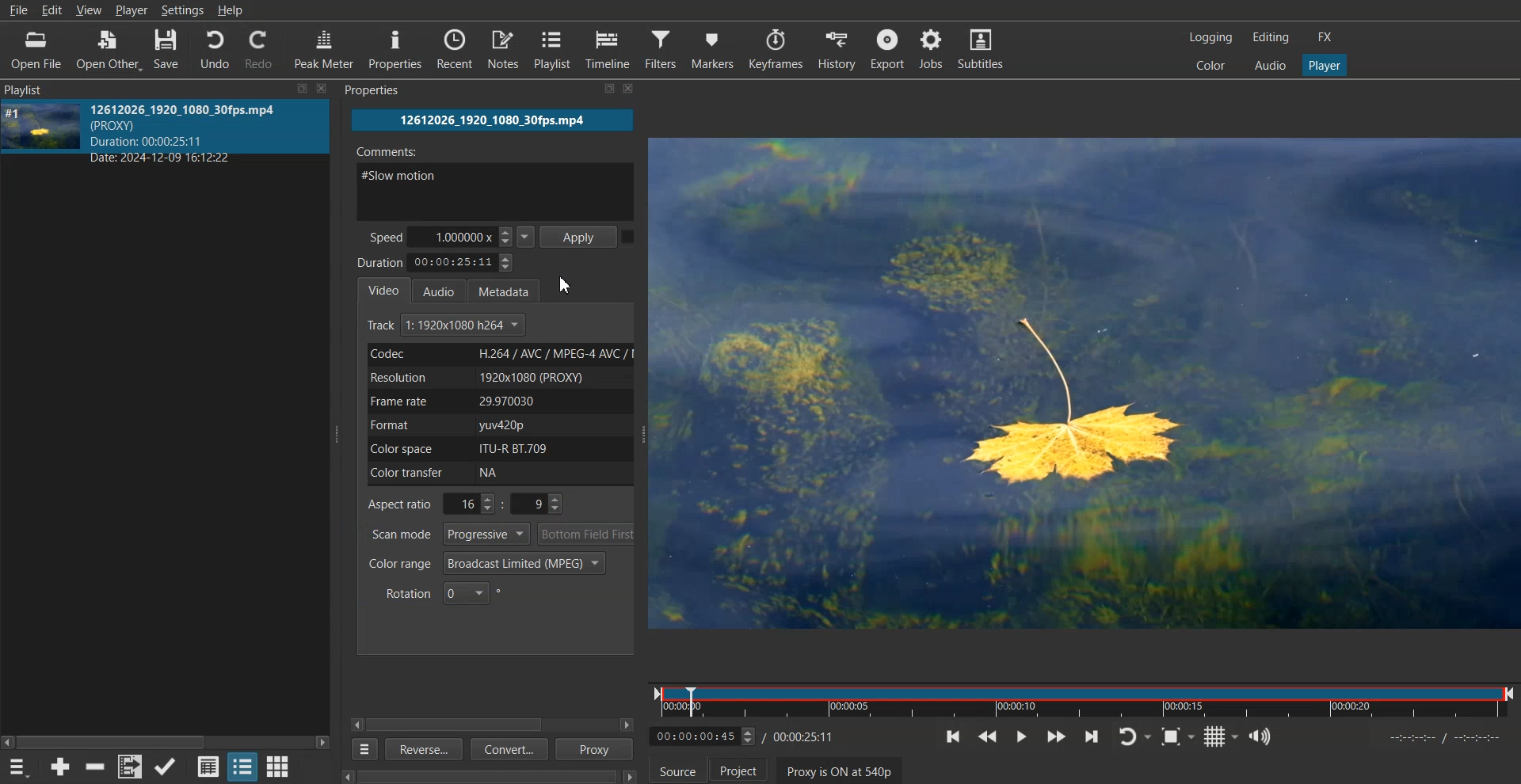 The height and width of the screenshot is (784, 1521). What do you see at coordinates (1056, 736) in the screenshot?
I see `Play Forward` at bounding box center [1056, 736].